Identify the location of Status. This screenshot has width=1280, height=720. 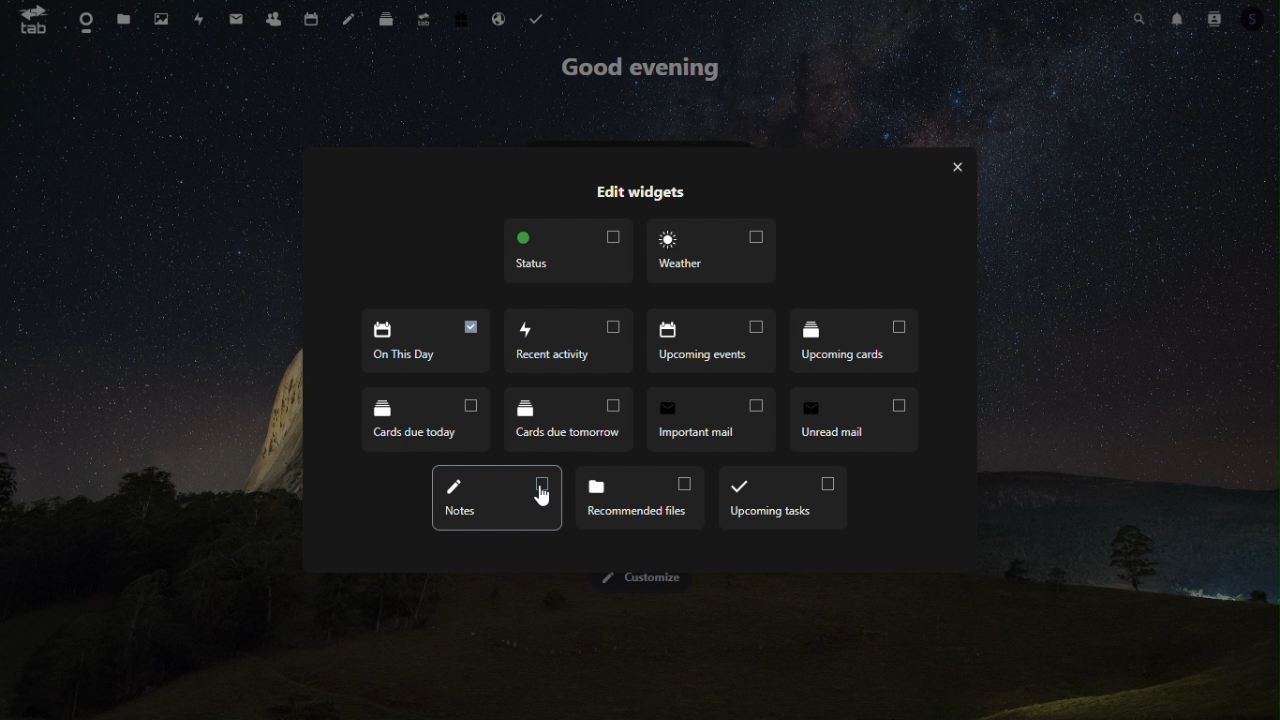
(571, 252).